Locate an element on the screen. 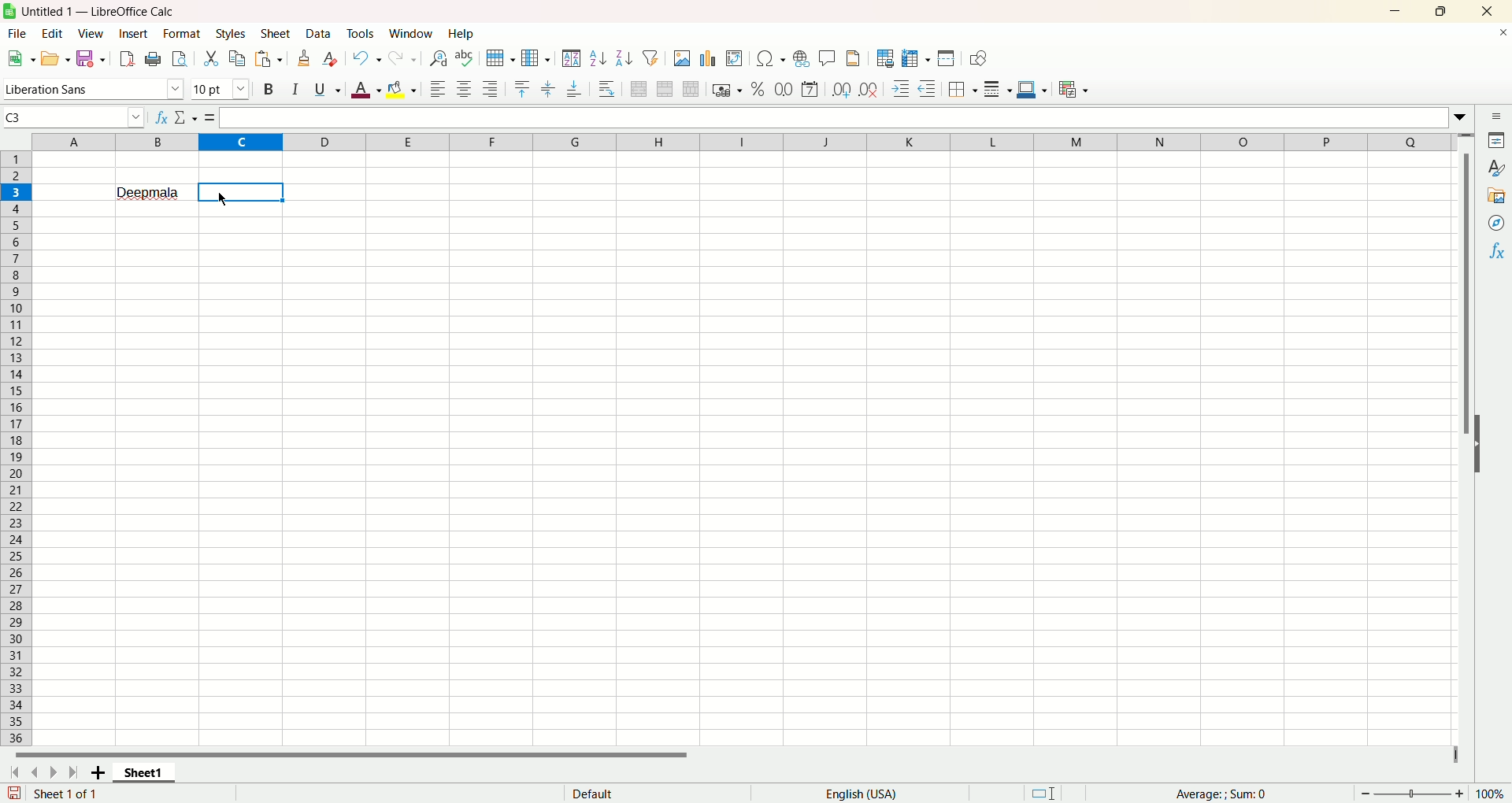 Image resolution: width=1512 pixels, height=803 pixels. Text language is located at coordinates (862, 794).